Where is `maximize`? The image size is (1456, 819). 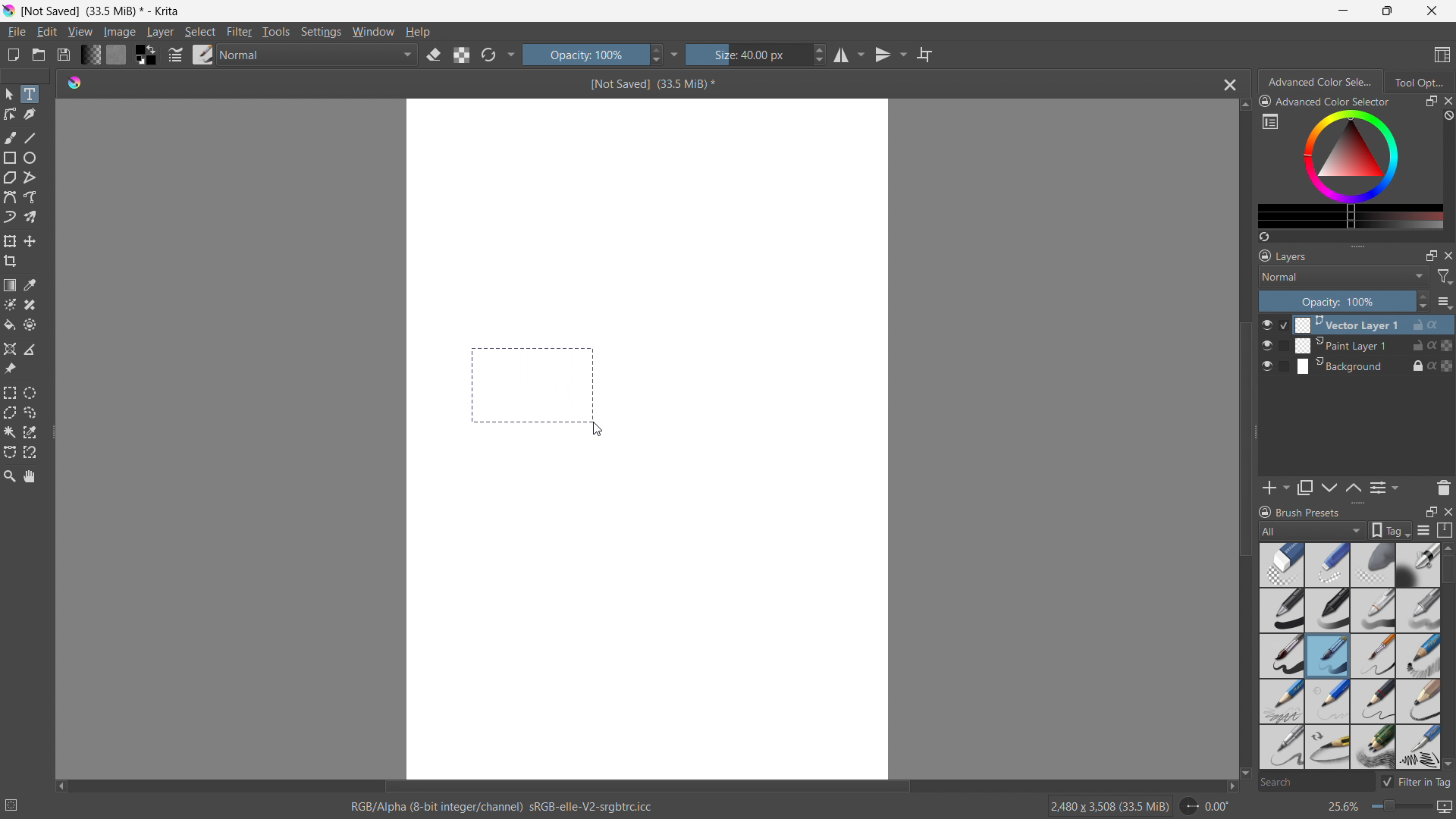 maximize is located at coordinates (1430, 102).